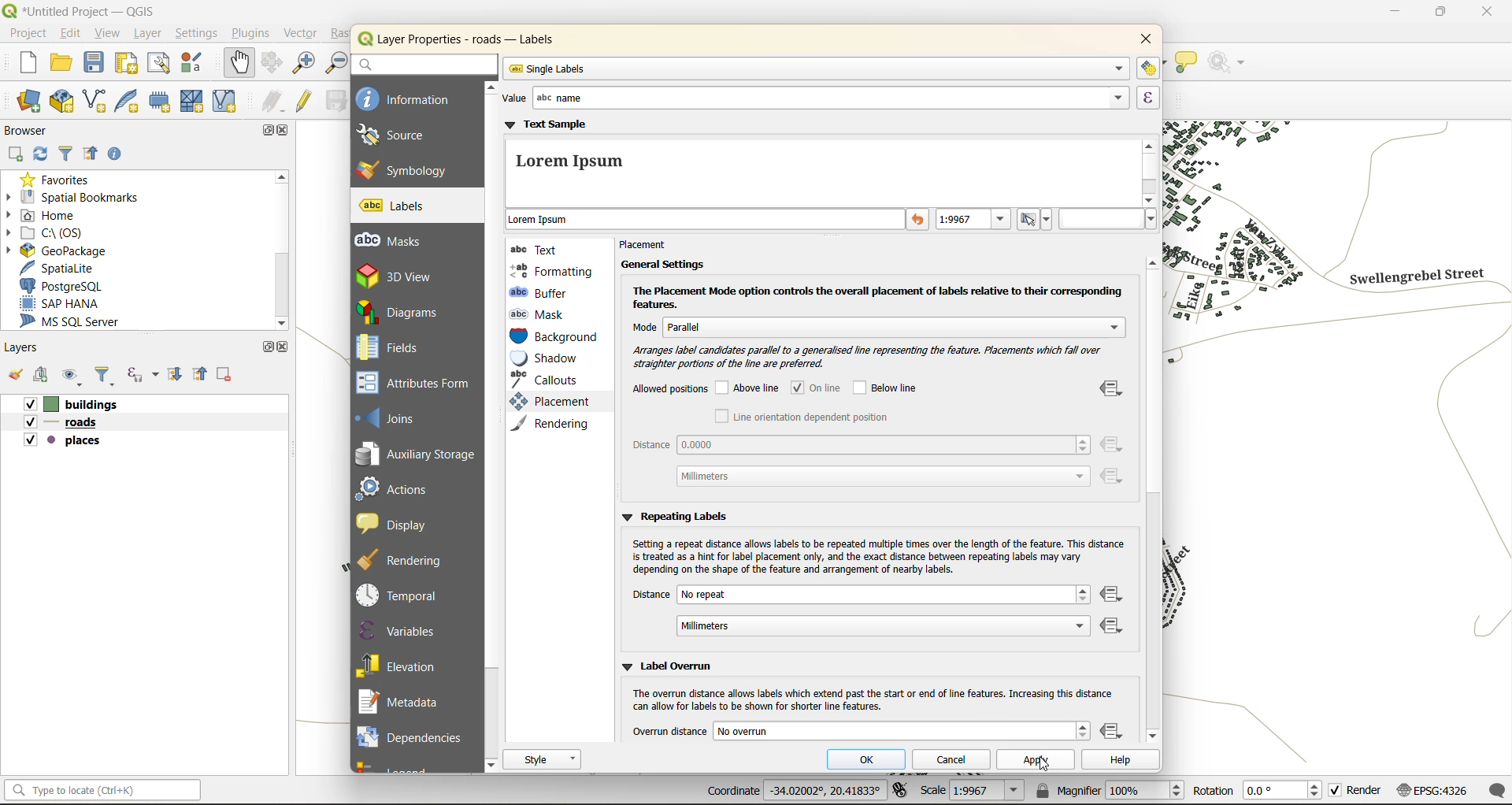 The image size is (1512, 805). I want to click on line orientation dependent position, so click(800, 417).